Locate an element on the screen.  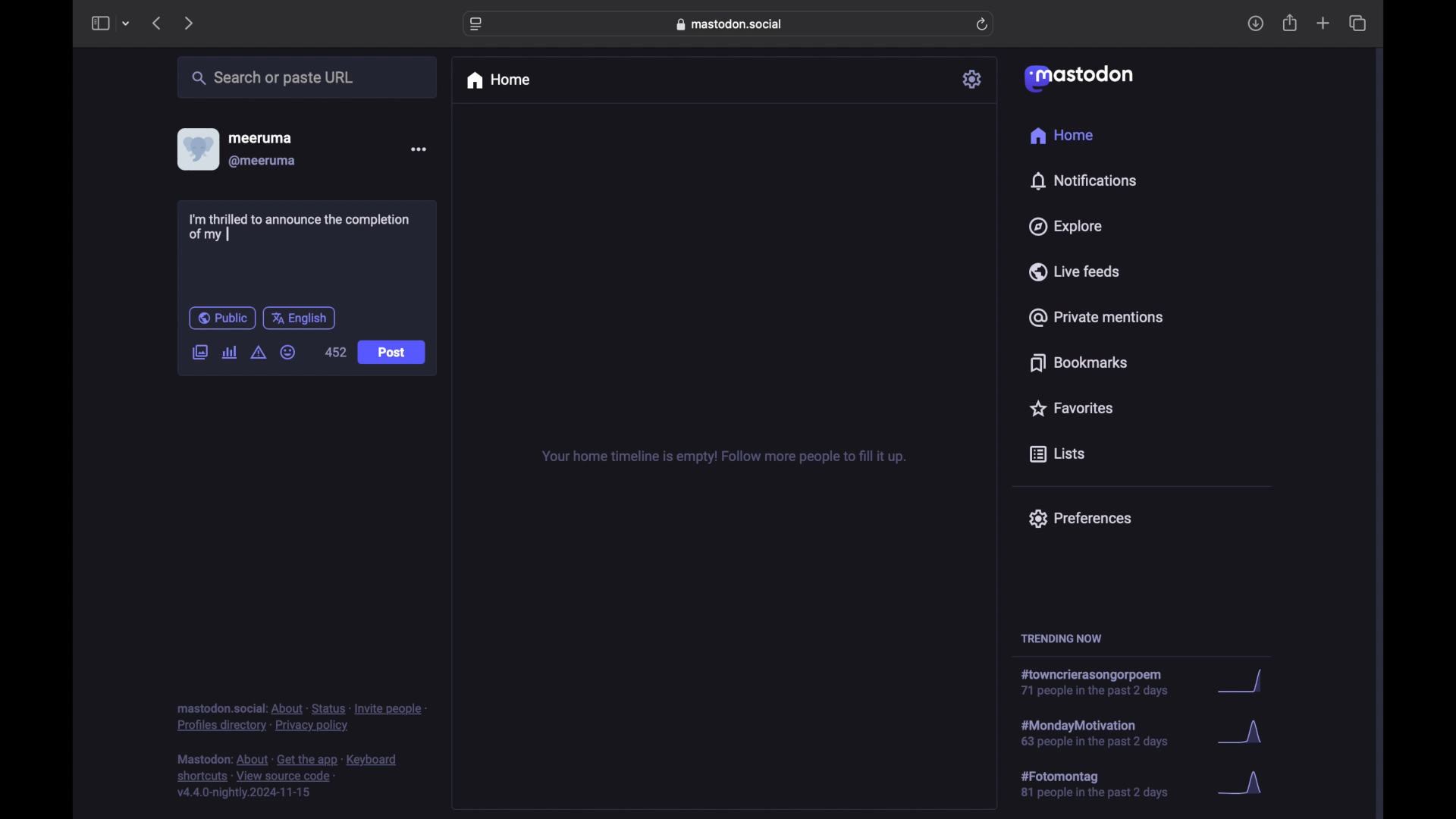
emoji is located at coordinates (288, 352).